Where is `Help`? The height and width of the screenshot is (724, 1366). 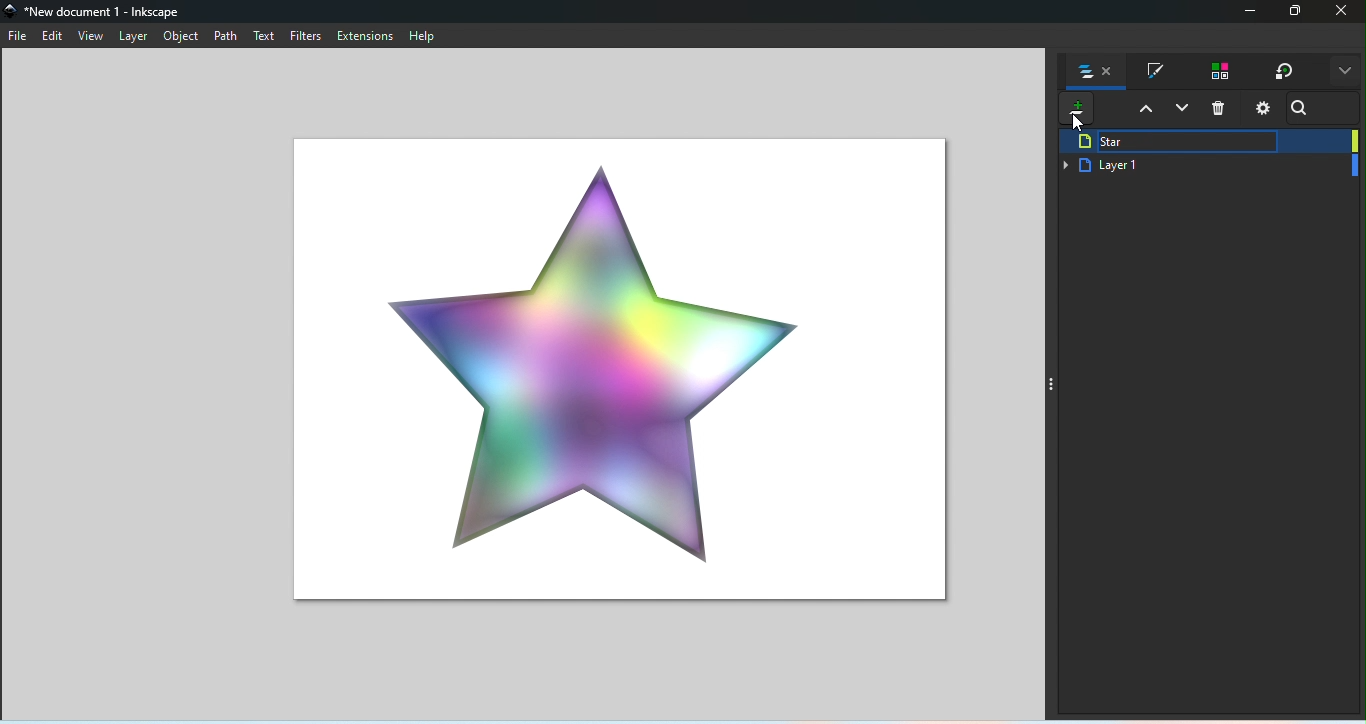
Help is located at coordinates (424, 36).